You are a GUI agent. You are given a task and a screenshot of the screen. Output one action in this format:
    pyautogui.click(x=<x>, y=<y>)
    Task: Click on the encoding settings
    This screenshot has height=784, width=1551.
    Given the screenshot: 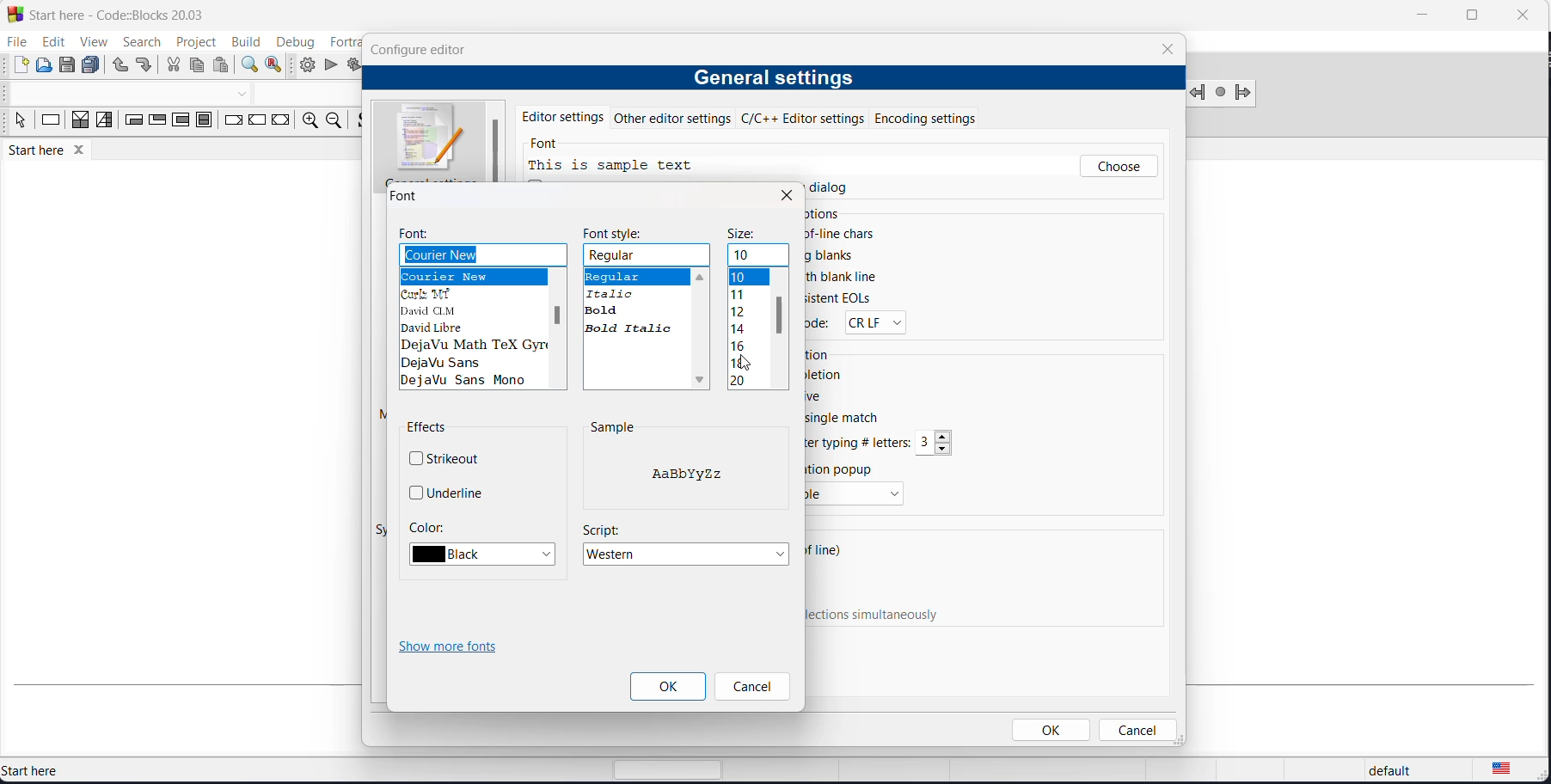 What is the action you would take?
    pyautogui.click(x=946, y=117)
    